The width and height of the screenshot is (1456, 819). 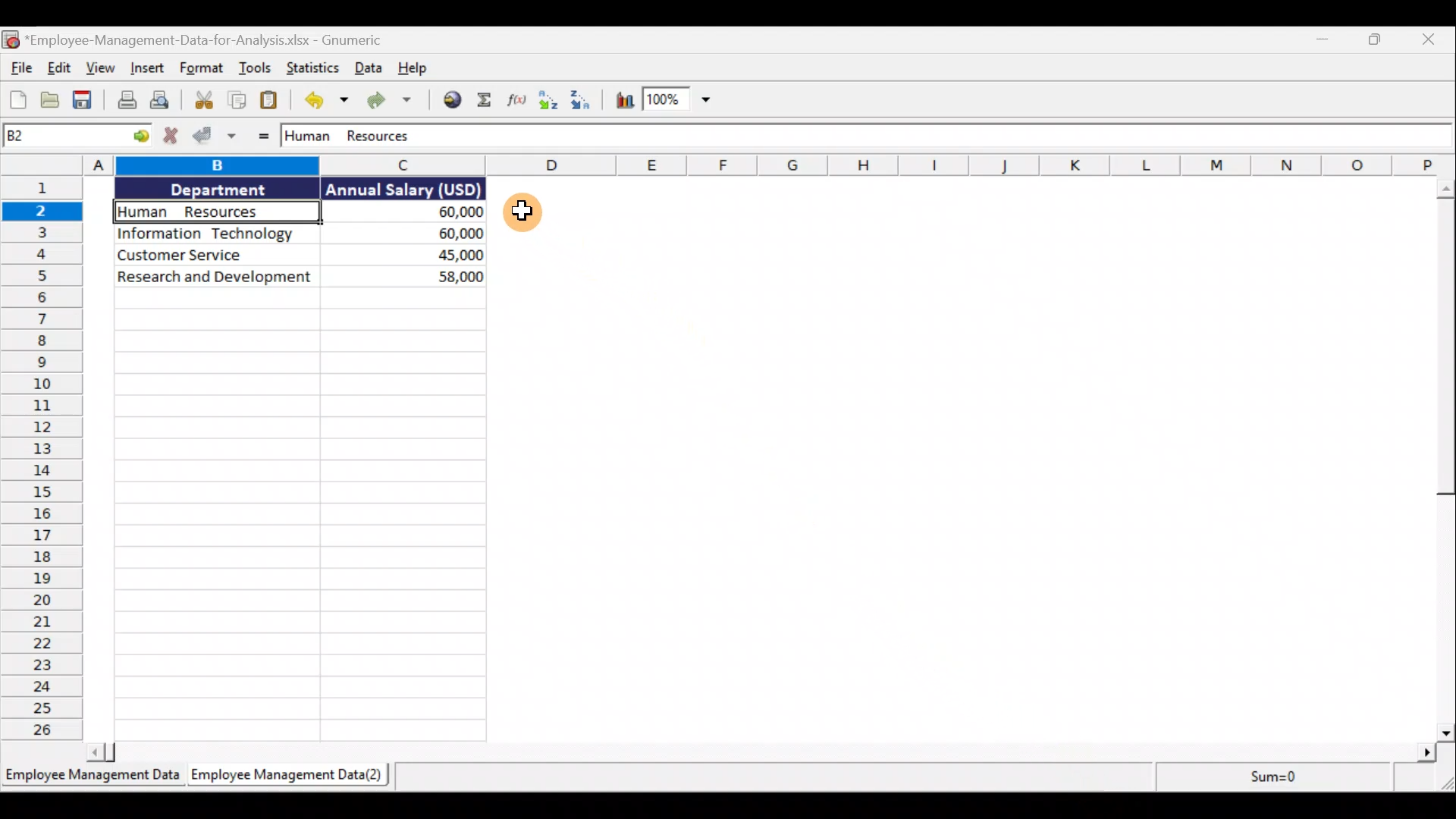 What do you see at coordinates (238, 100) in the screenshot?
I see `Copy the selection` at bounding box center [238, 100].